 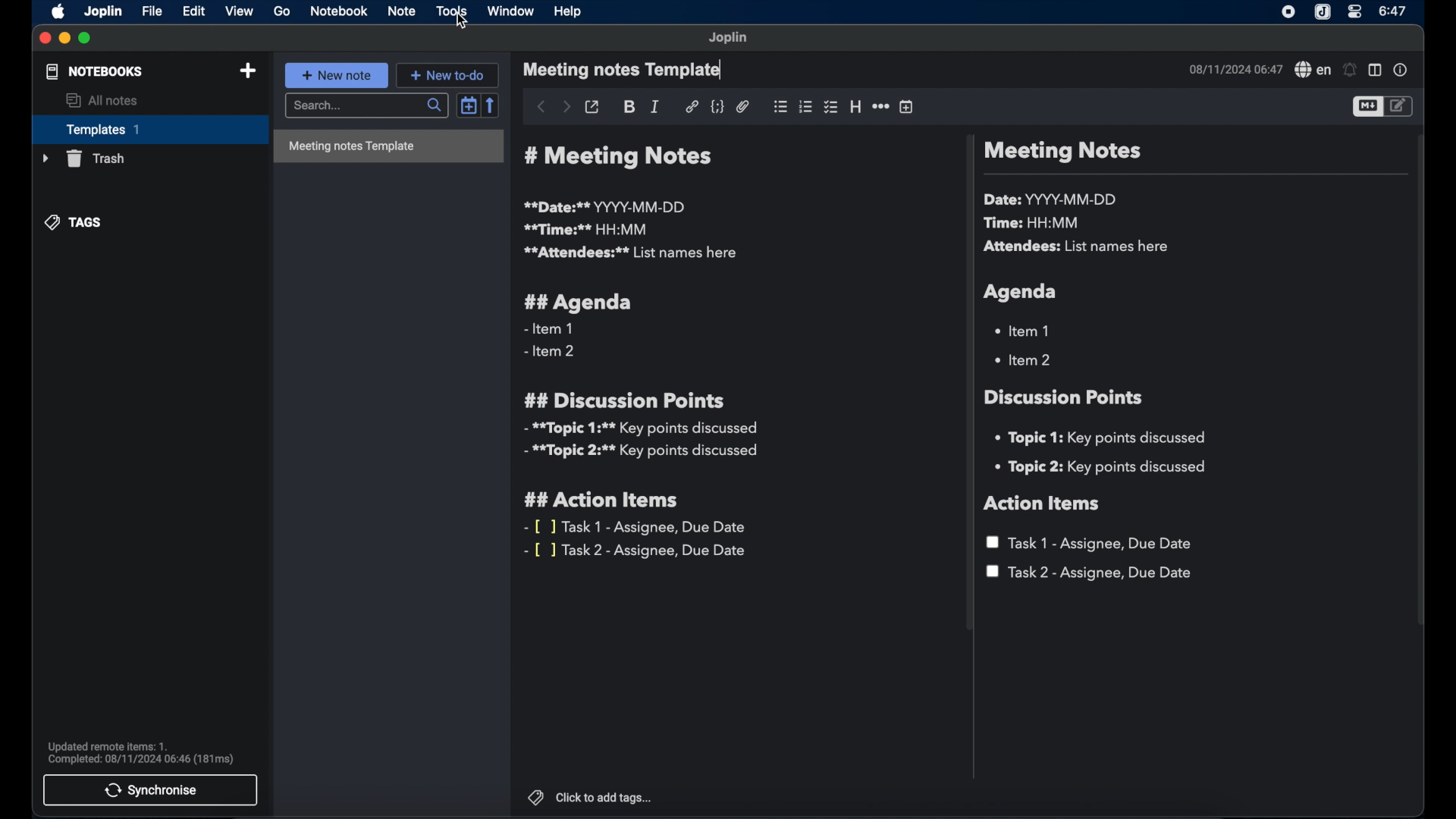 What do you see at coordinates (282, 11) in the screenshot?
I see `go` at bounding box center [282, 11].